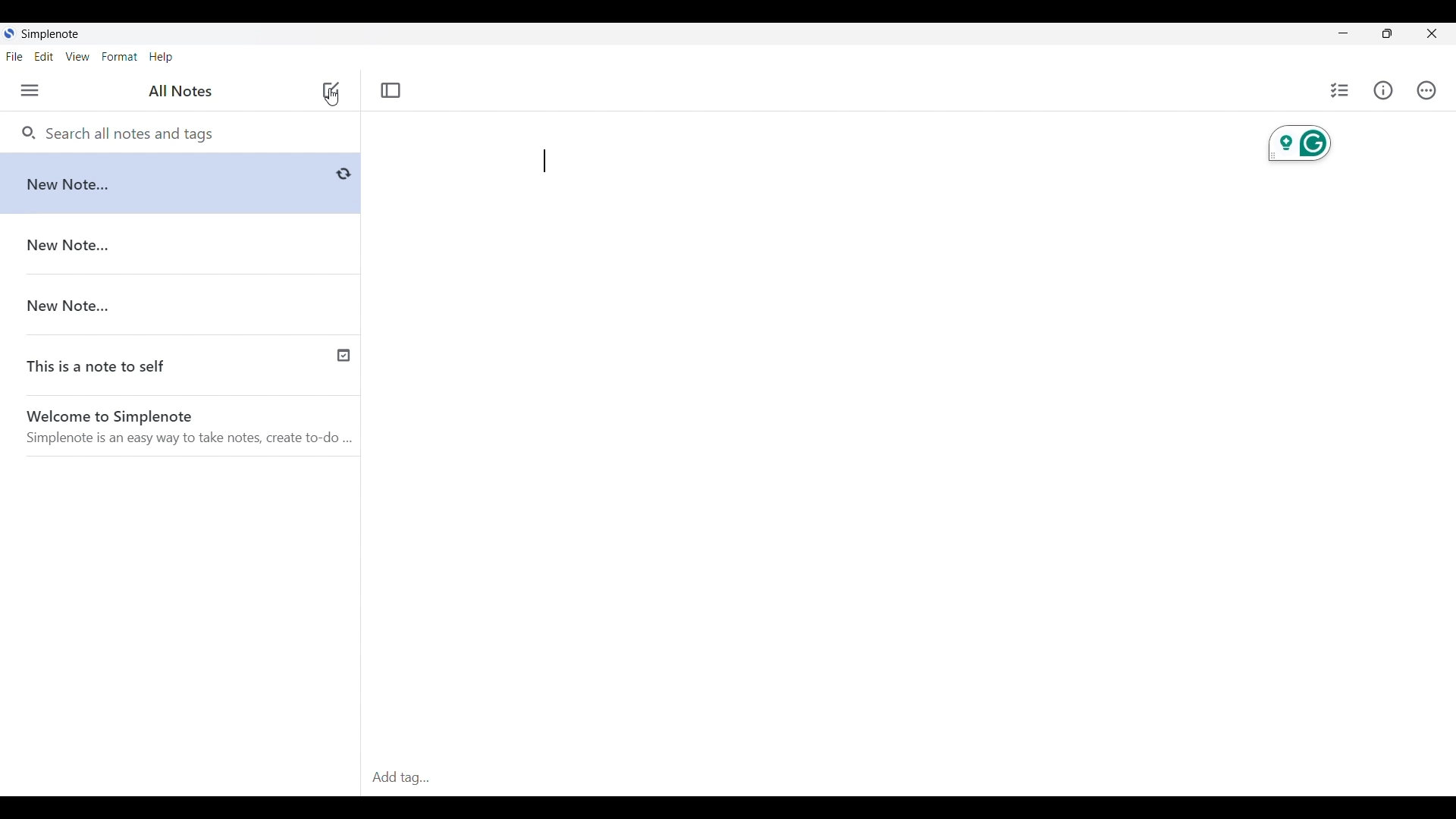 The width and height of the screenshot is (1456, 819). I want to click on Help, so click(162, 57).